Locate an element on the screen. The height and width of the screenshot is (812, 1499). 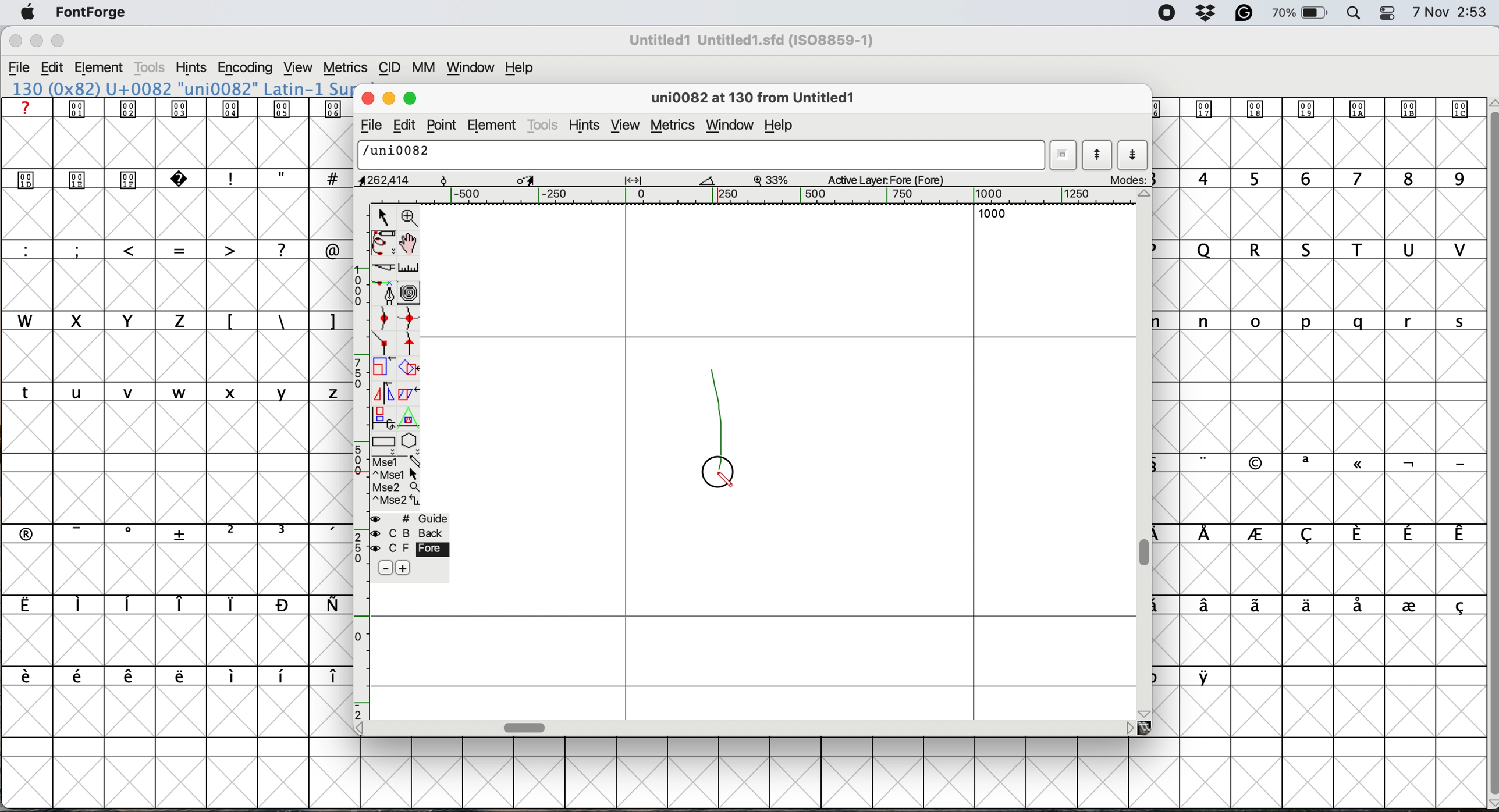
special characters is located at coordinates (168, 675).